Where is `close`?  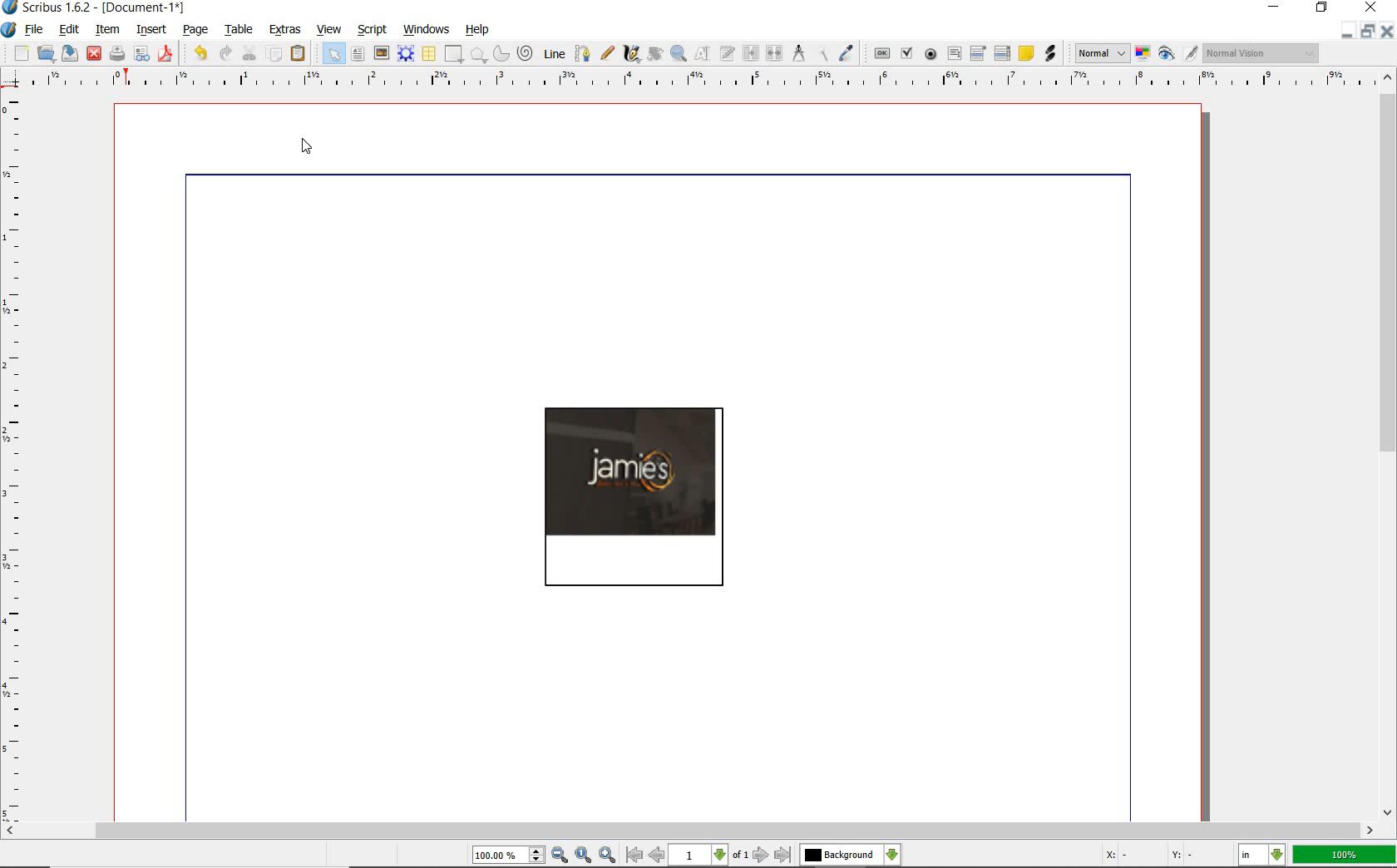
close is located at coordinates (94, 53).